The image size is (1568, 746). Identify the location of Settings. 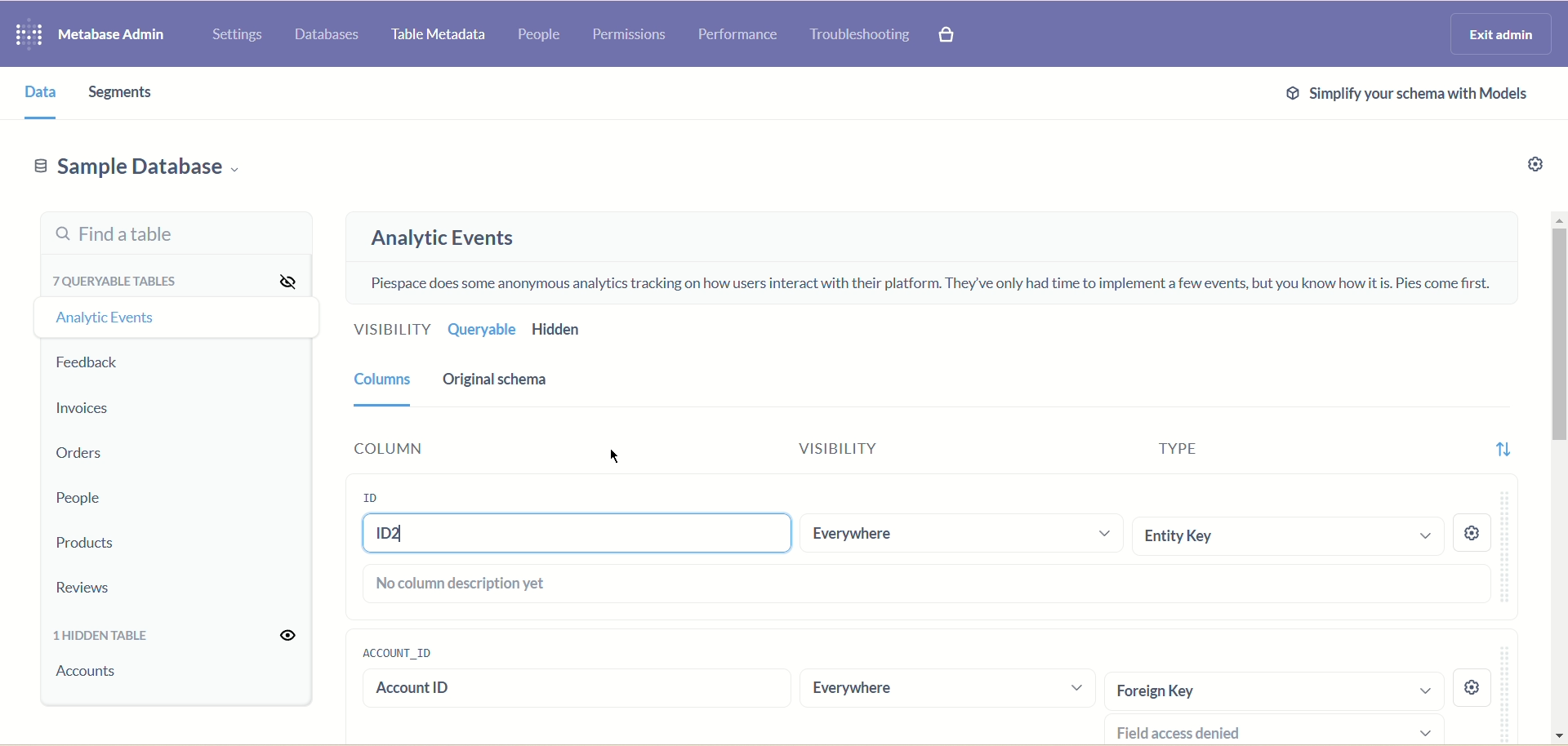
(1539, 162).